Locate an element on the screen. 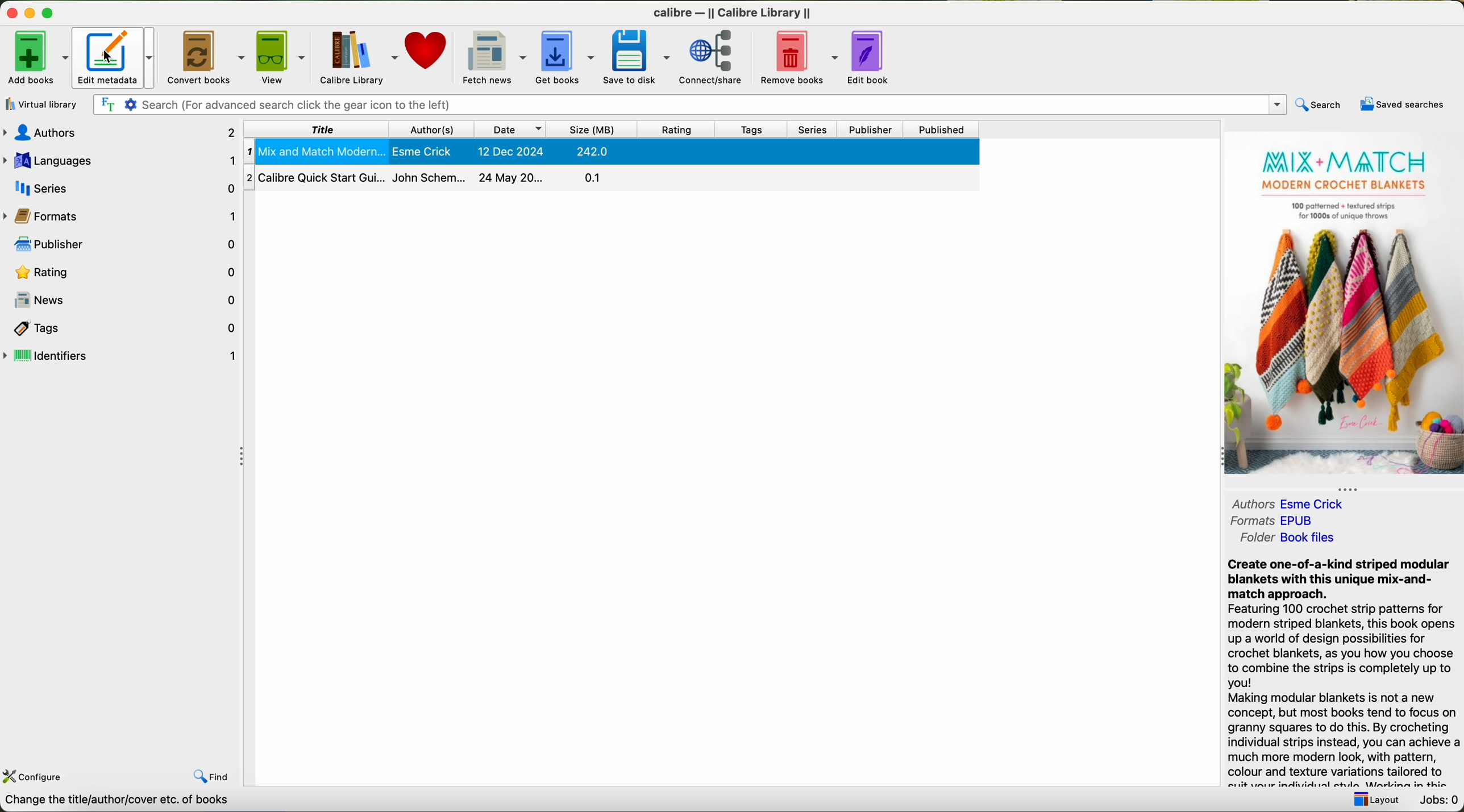 The width and height of the screenshot is (1464, 812). news is located at coordinates (123, 299).